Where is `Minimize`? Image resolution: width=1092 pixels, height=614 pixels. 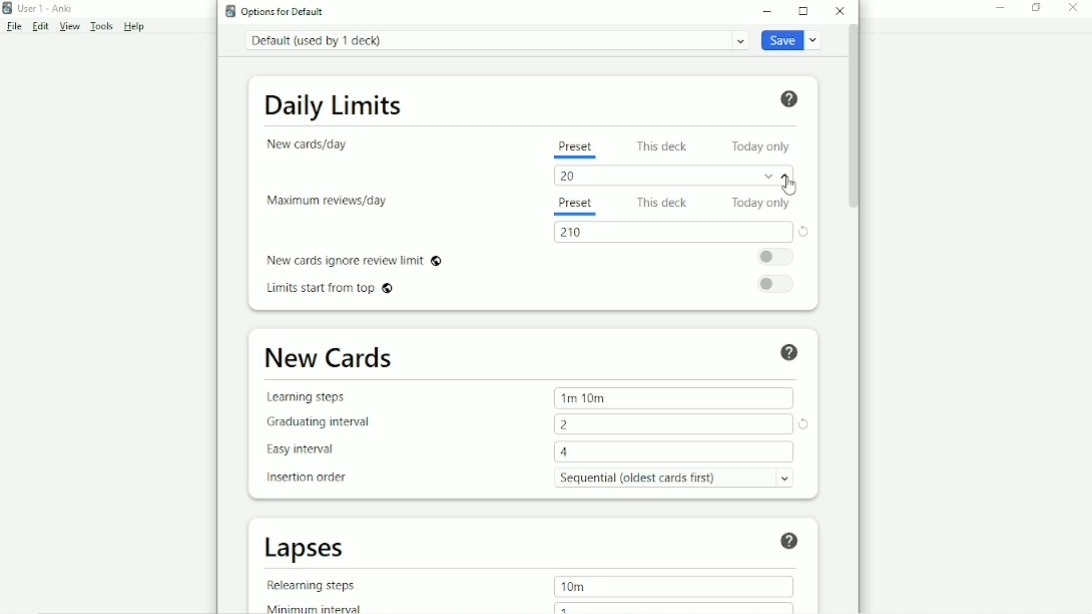
Minimize is located at coordinates (999, 9).